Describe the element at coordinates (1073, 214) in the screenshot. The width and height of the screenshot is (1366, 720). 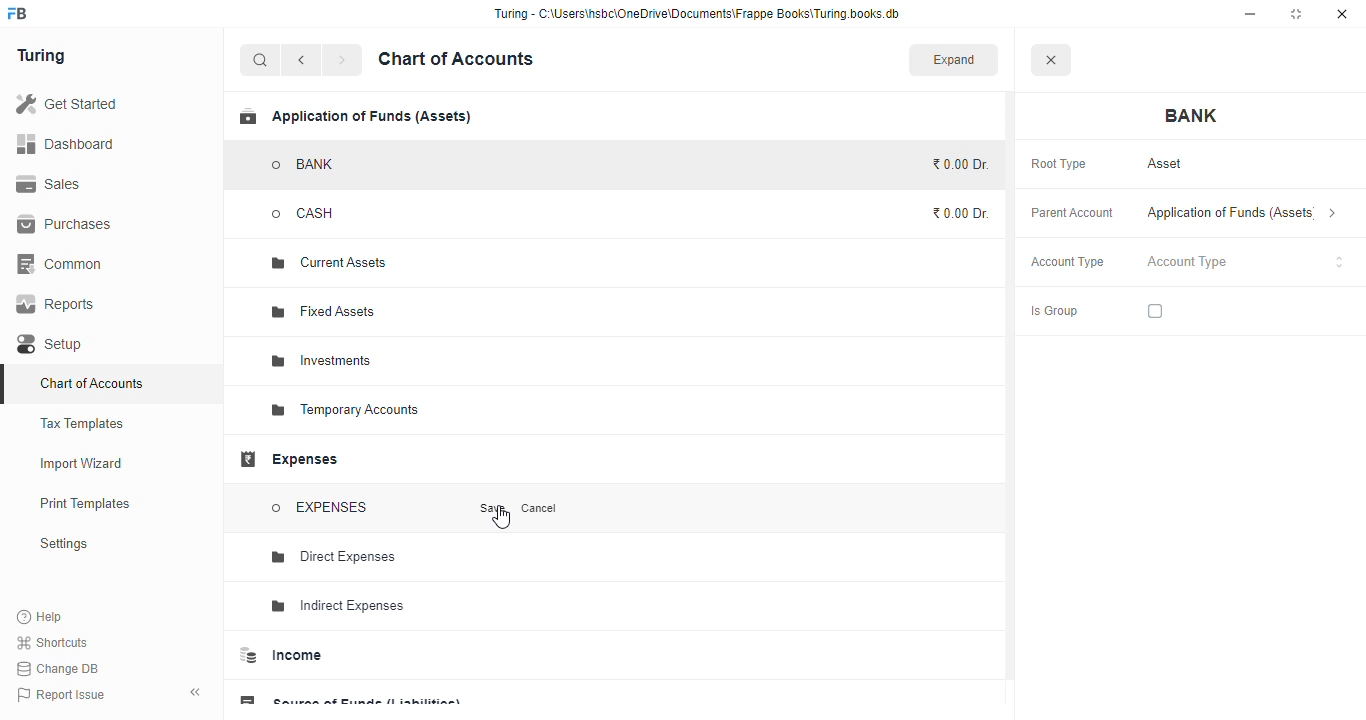
I see `parent account` at that location.